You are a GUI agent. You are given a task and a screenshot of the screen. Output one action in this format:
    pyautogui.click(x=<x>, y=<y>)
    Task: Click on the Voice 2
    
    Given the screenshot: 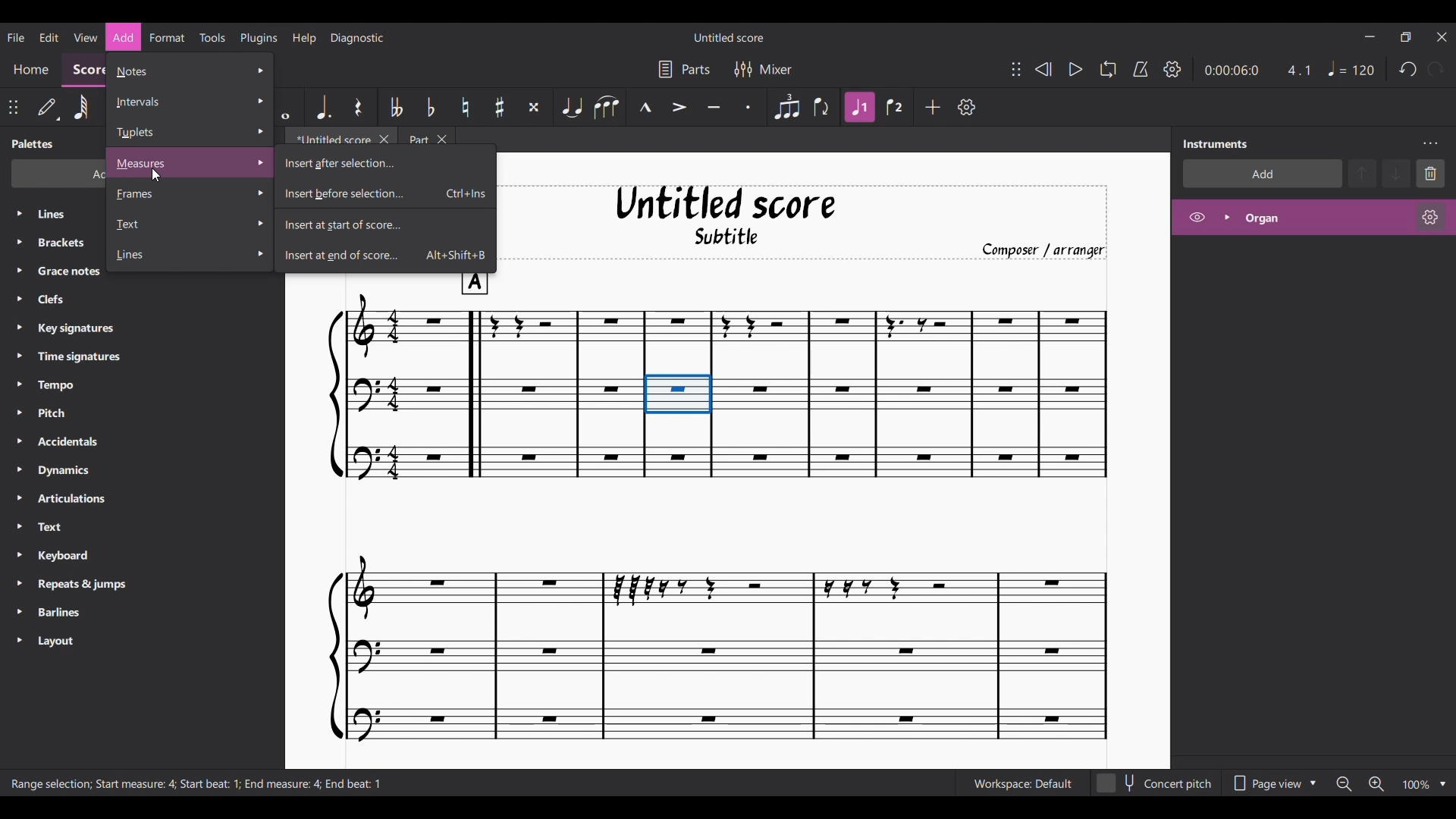 What is the action you would take?
    pyautogui.click(x=896, y=107)
    